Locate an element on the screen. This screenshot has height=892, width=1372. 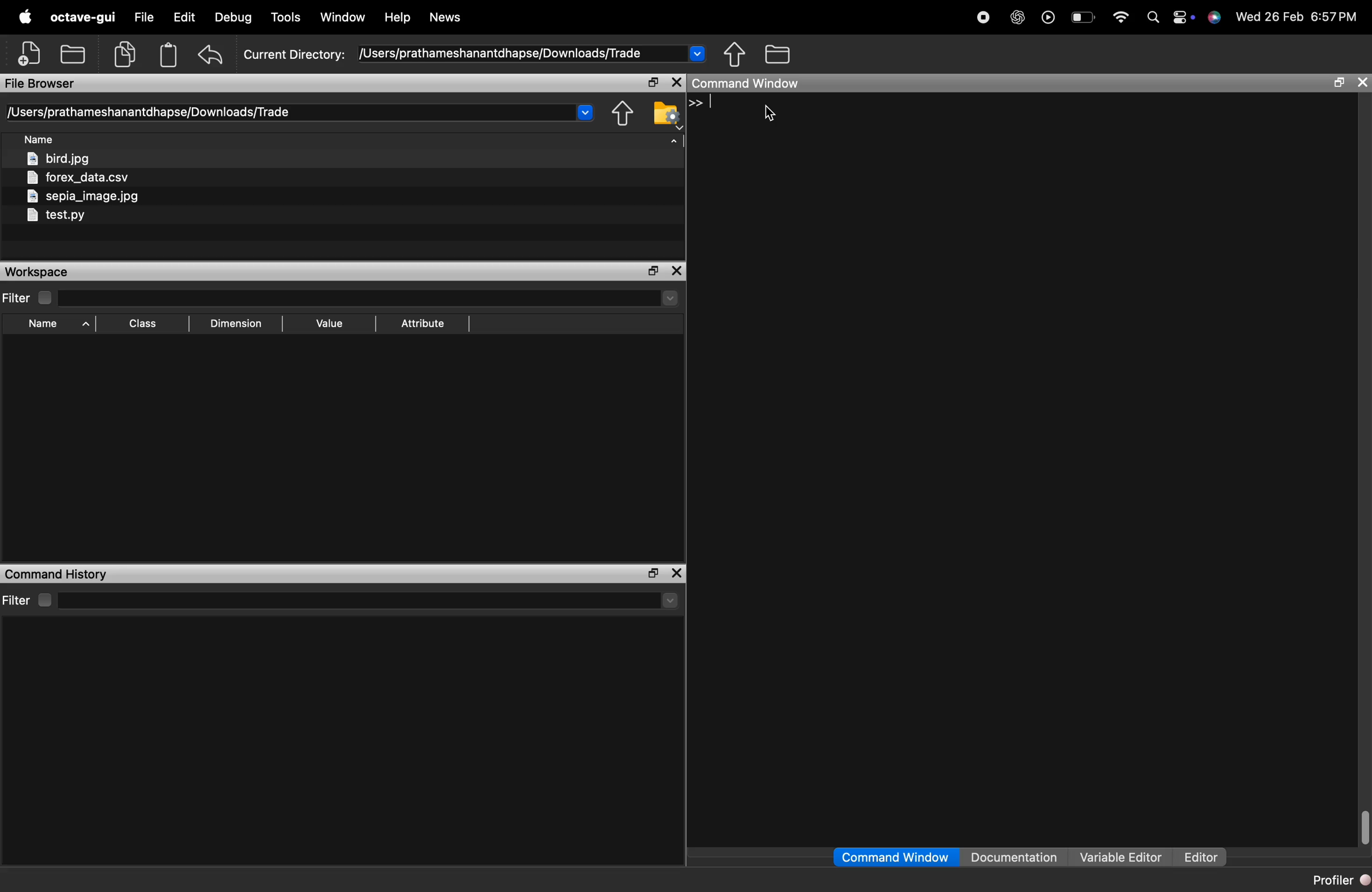
wifi is located at coordinates (1124, 18).